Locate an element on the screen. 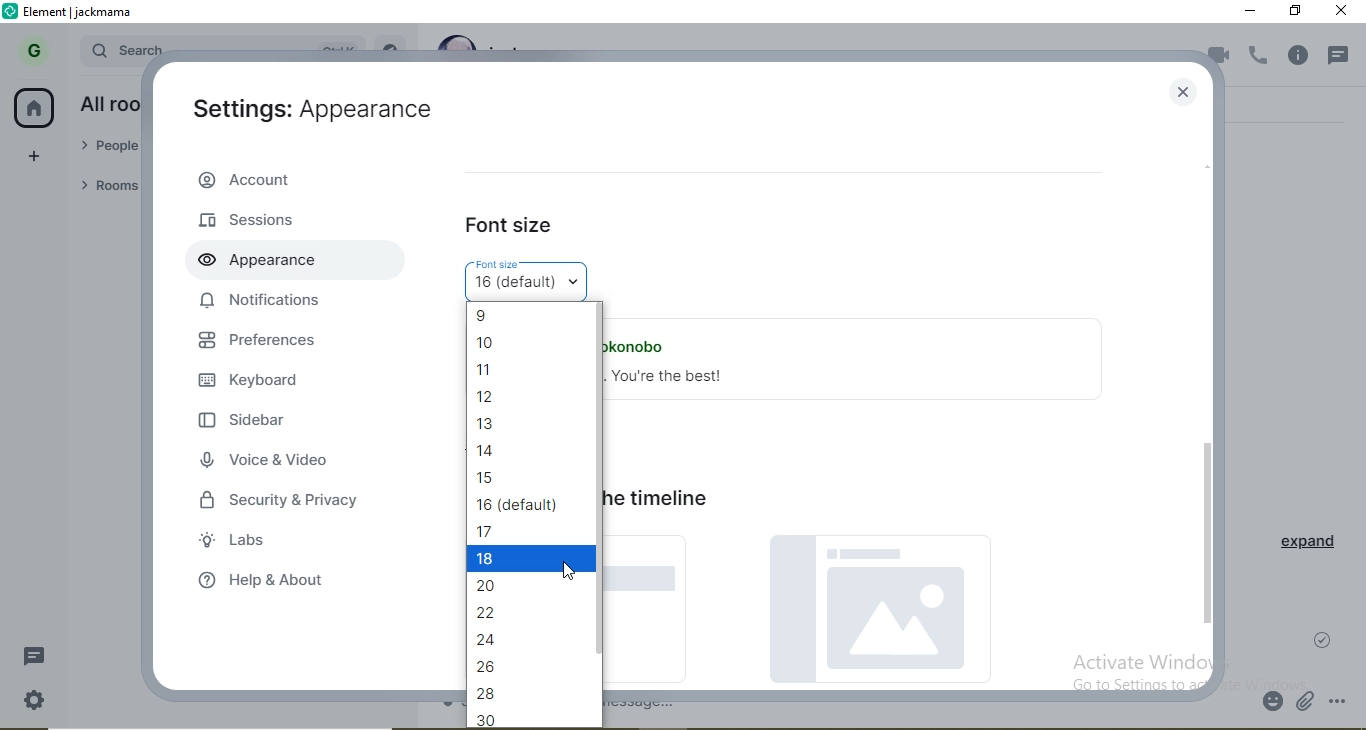  voice call is located at coordinates (1260, 57).